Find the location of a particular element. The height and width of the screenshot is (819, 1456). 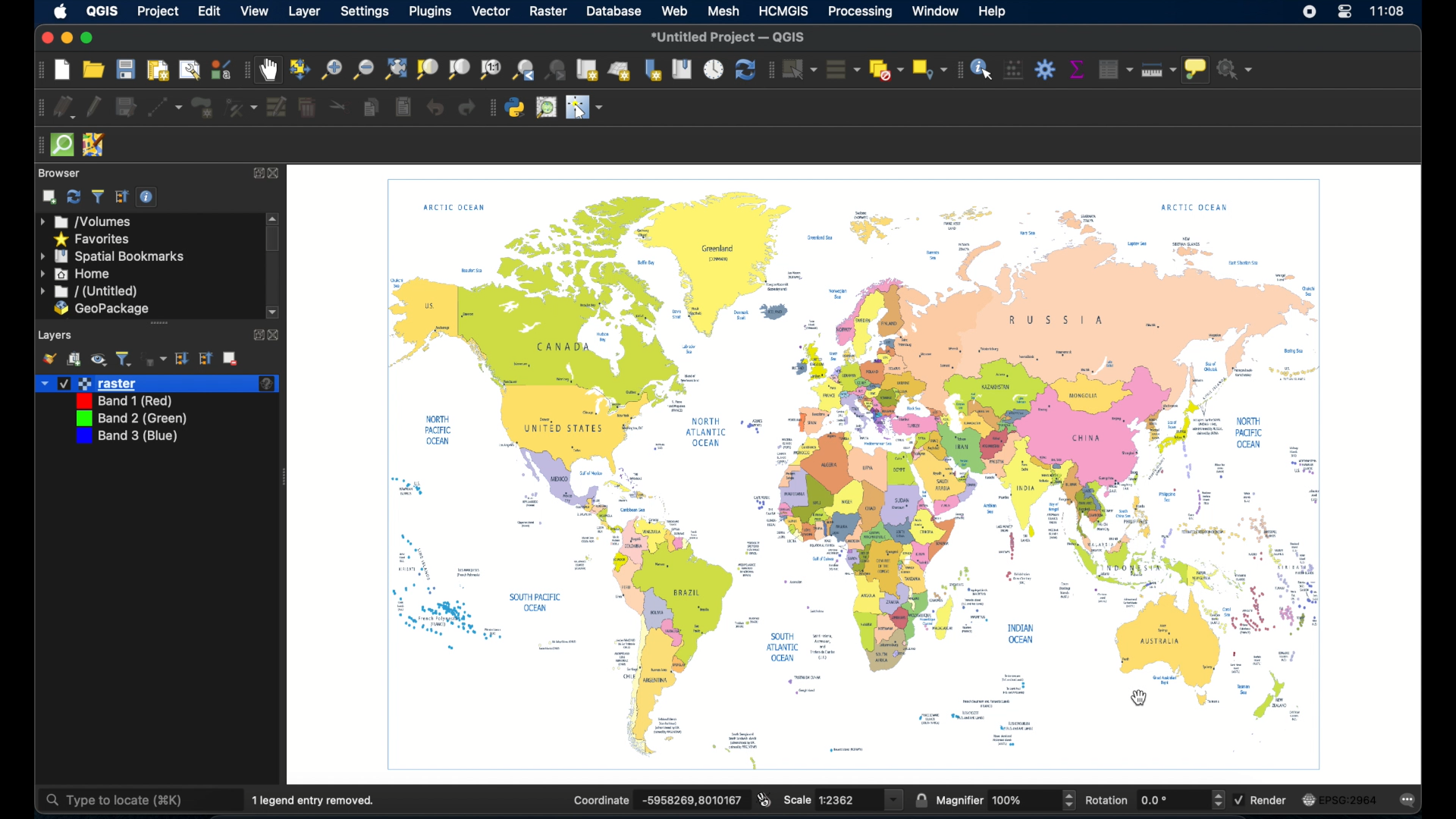

modify attributes is located at coordinates (275, 107).